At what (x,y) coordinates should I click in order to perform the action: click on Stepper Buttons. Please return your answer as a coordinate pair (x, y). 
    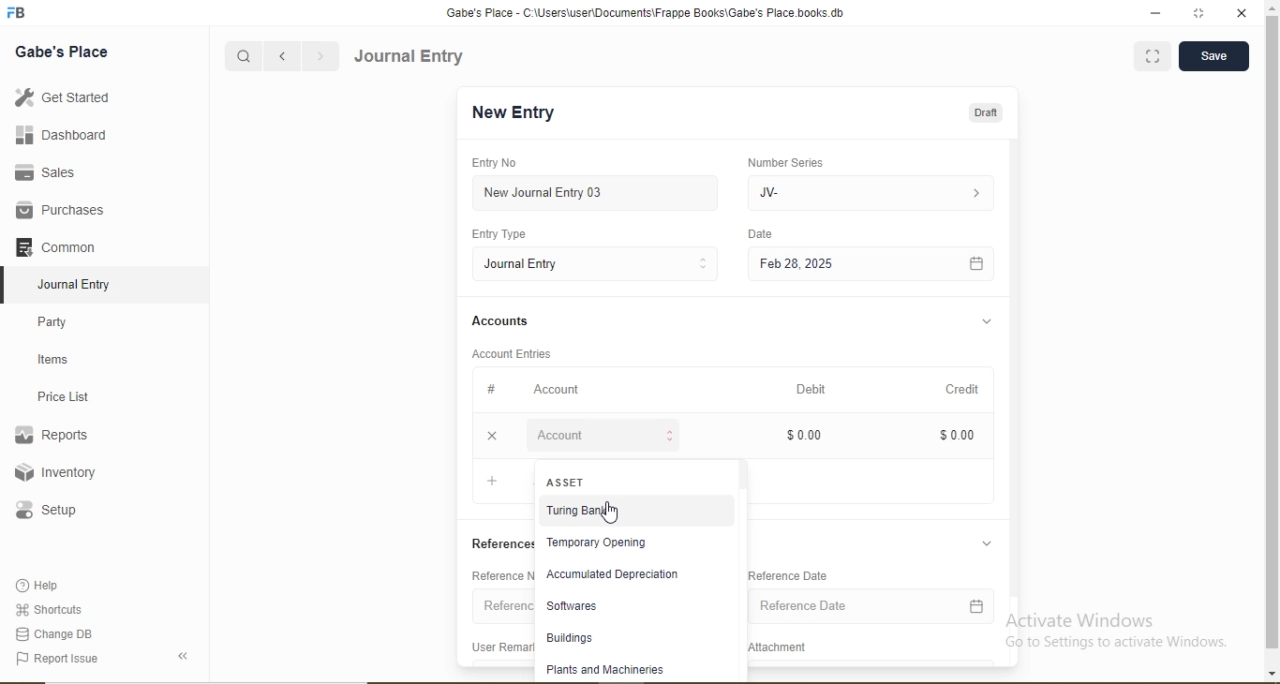
    Looking at the image, I should click on (669, 436).